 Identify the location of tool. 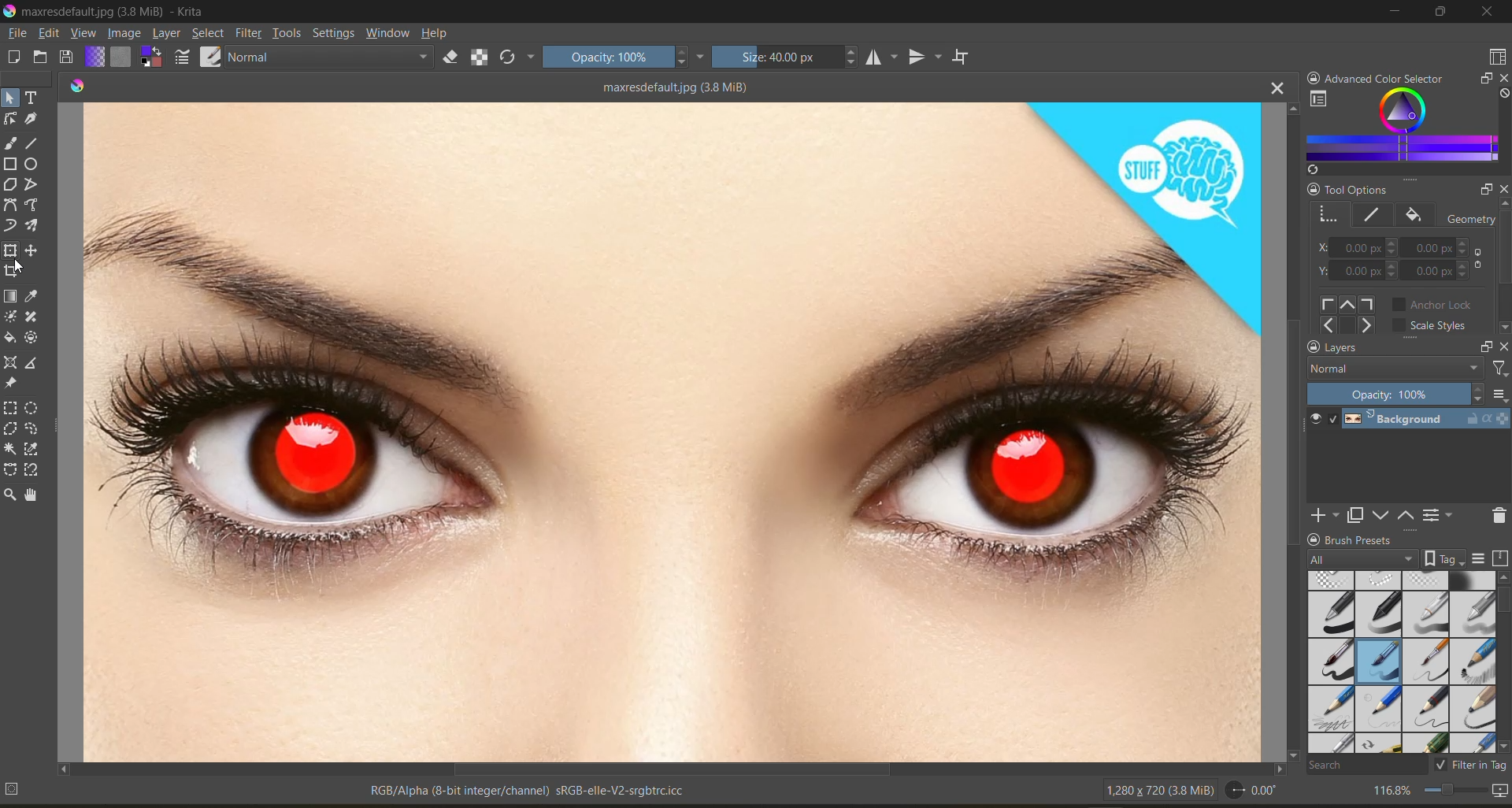
(13, 271).